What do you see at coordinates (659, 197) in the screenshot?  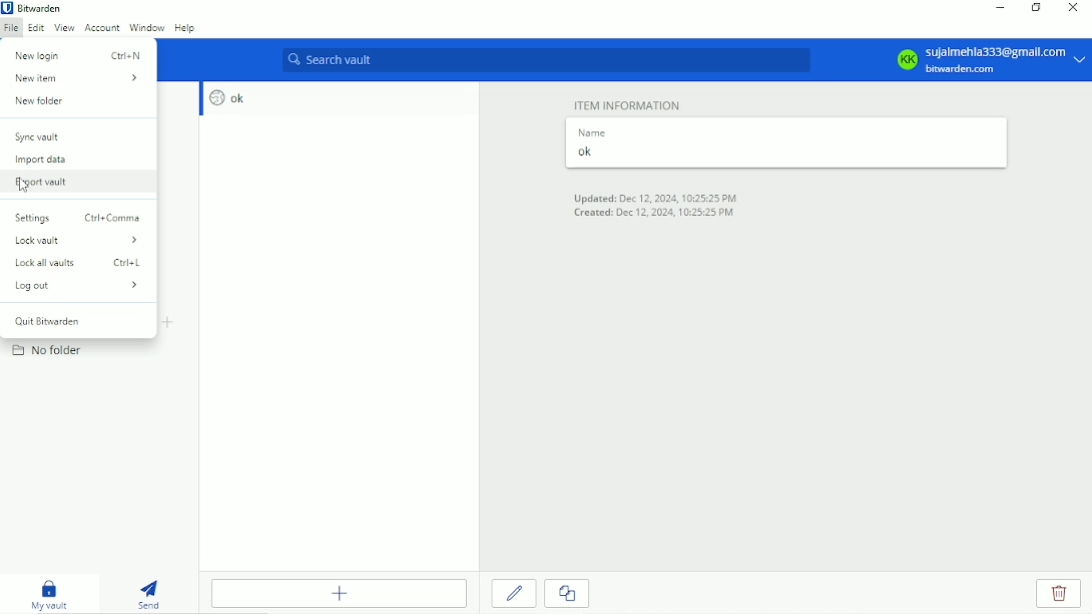 I see `Updated: Dec 12, 2024,    10:25:25 PM` at bounding box center [659, 197].